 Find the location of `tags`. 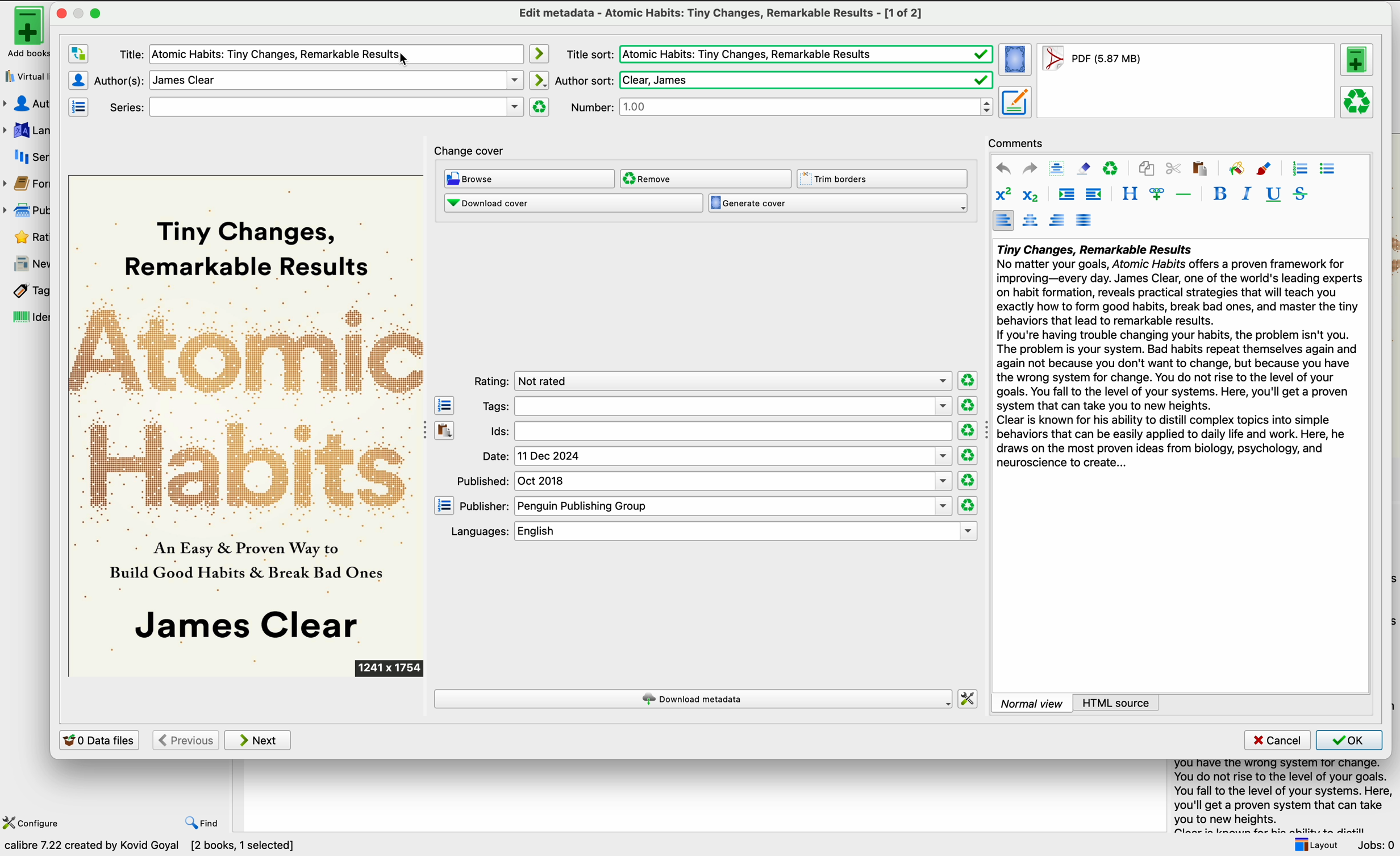

tags is located at coordinates (24, 291).